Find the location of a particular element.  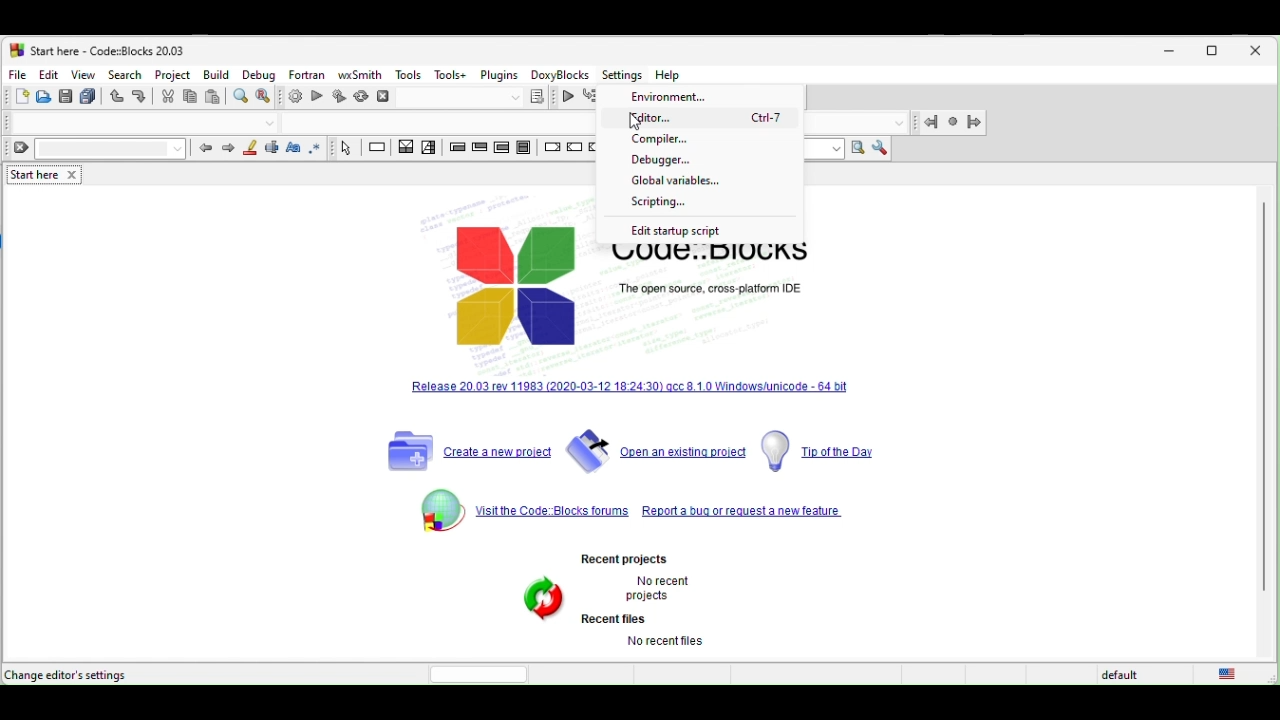

continue is located at coordinates (575, 150).